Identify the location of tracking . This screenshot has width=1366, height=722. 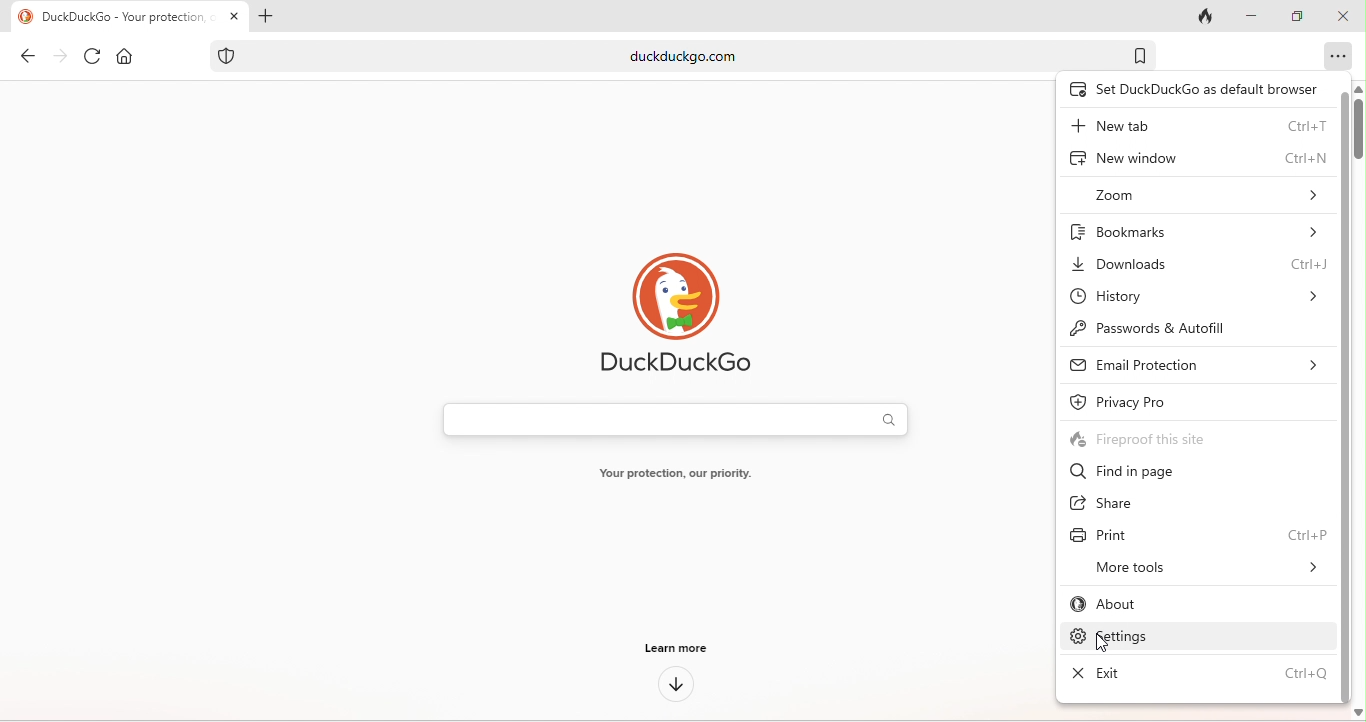
(227, 56).